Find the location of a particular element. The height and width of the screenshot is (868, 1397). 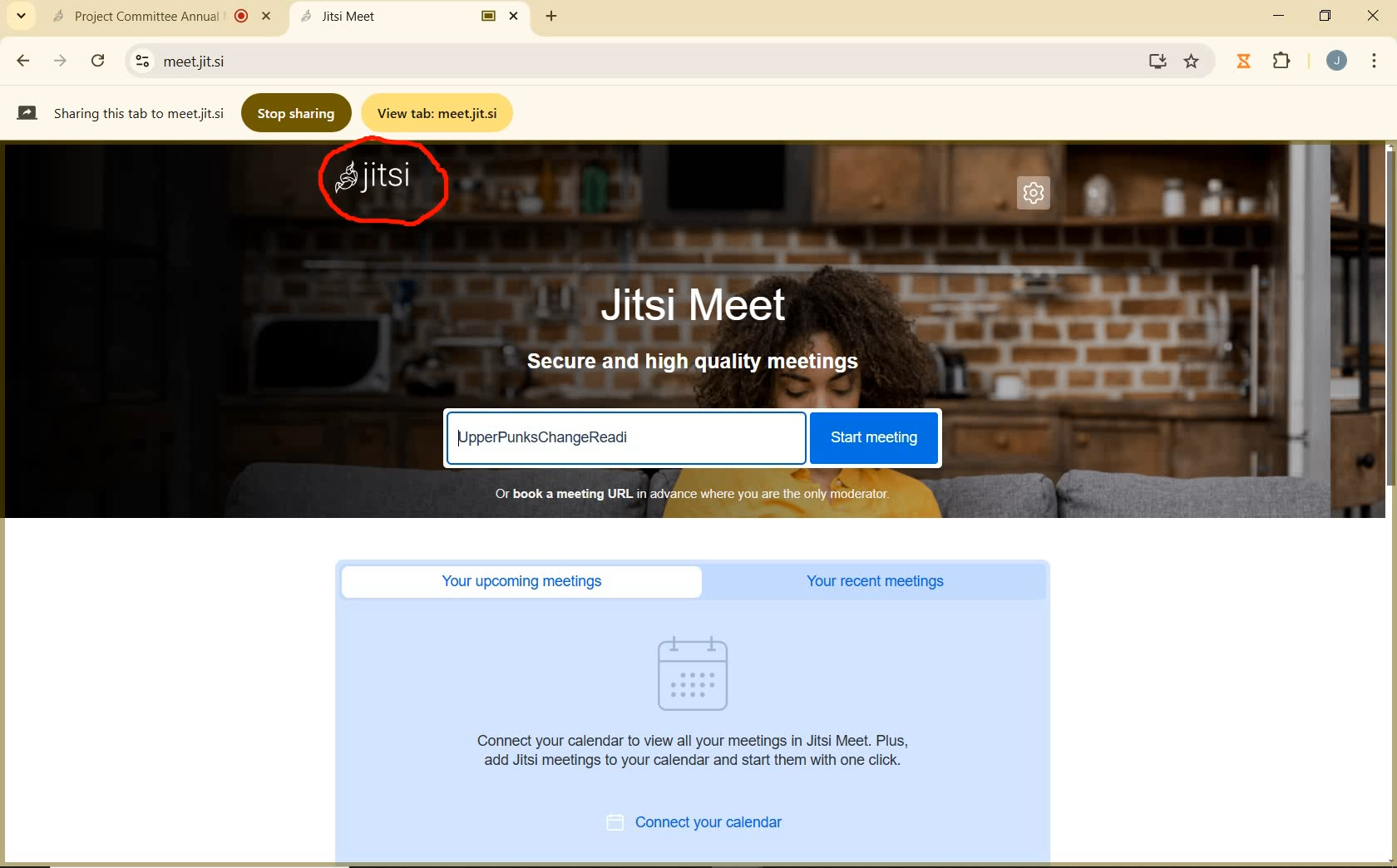

CUSTOMIZE GOOGLE CHROME is located at coordinates (1375, 62).